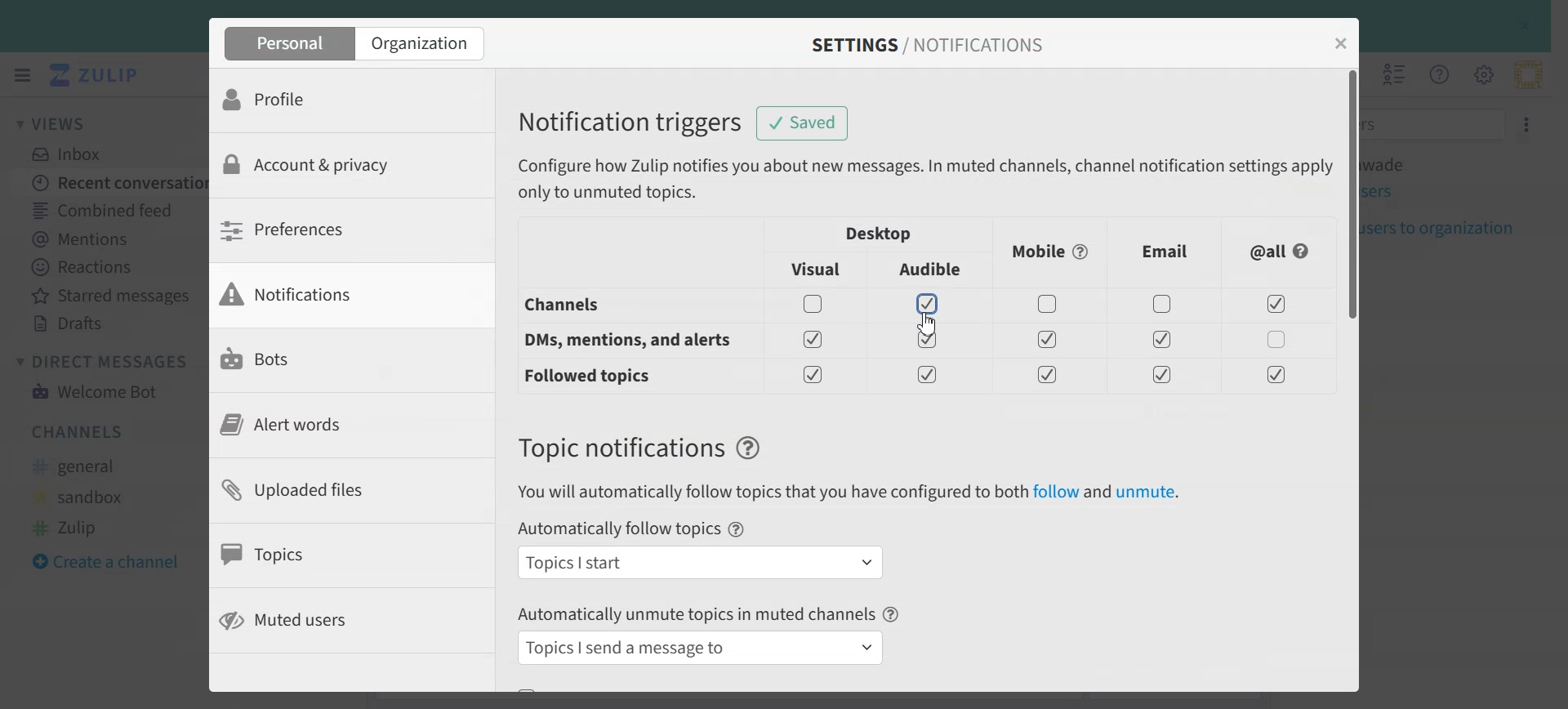 The image size is (1568, 709). Describe the element at coordinates (620, 448) in the screenshot. I see `Text` at that location.